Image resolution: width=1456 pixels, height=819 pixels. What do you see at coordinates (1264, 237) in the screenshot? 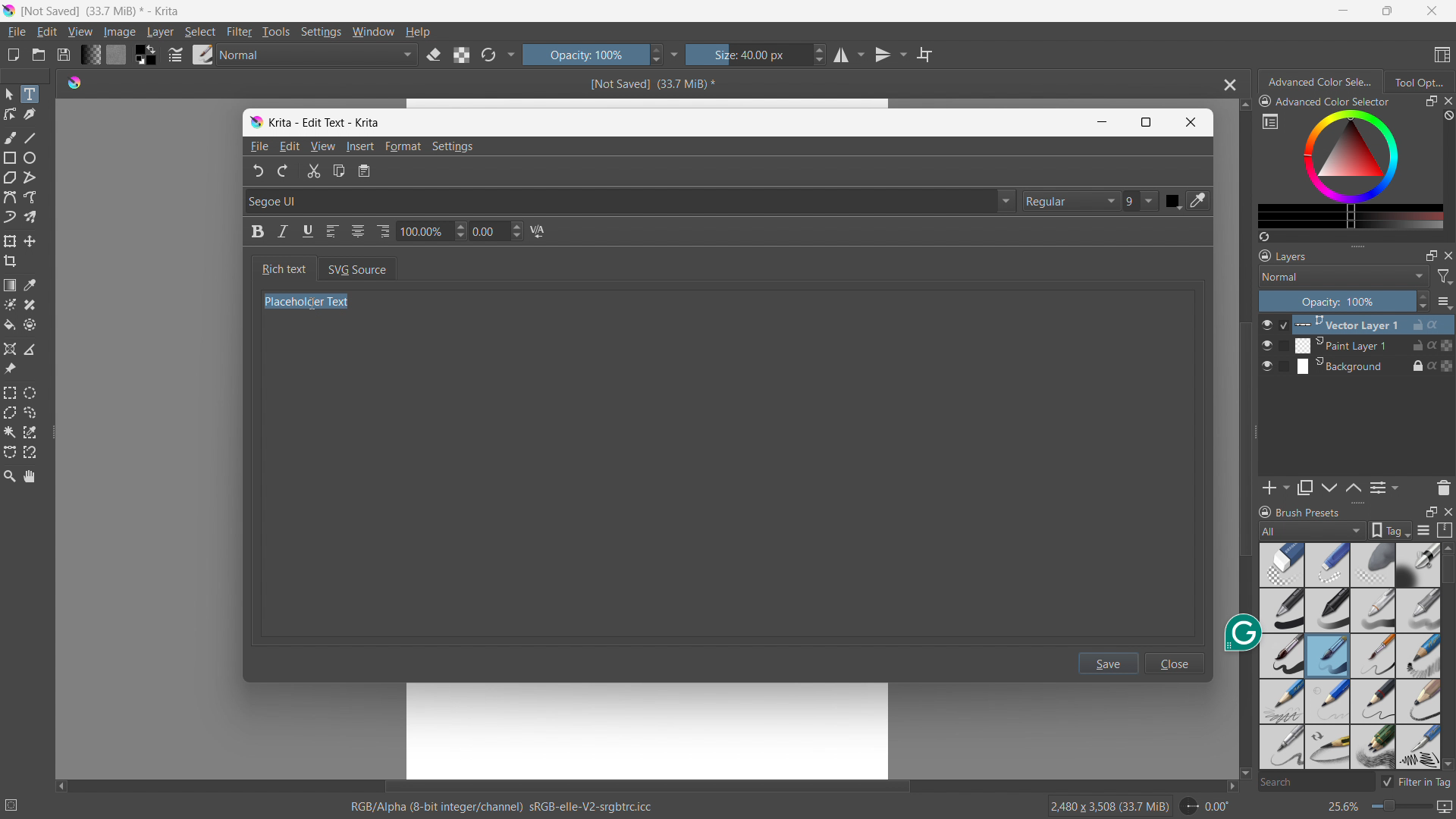
I see `create a list of colors from the picture` at bounding box center [1264, 237].